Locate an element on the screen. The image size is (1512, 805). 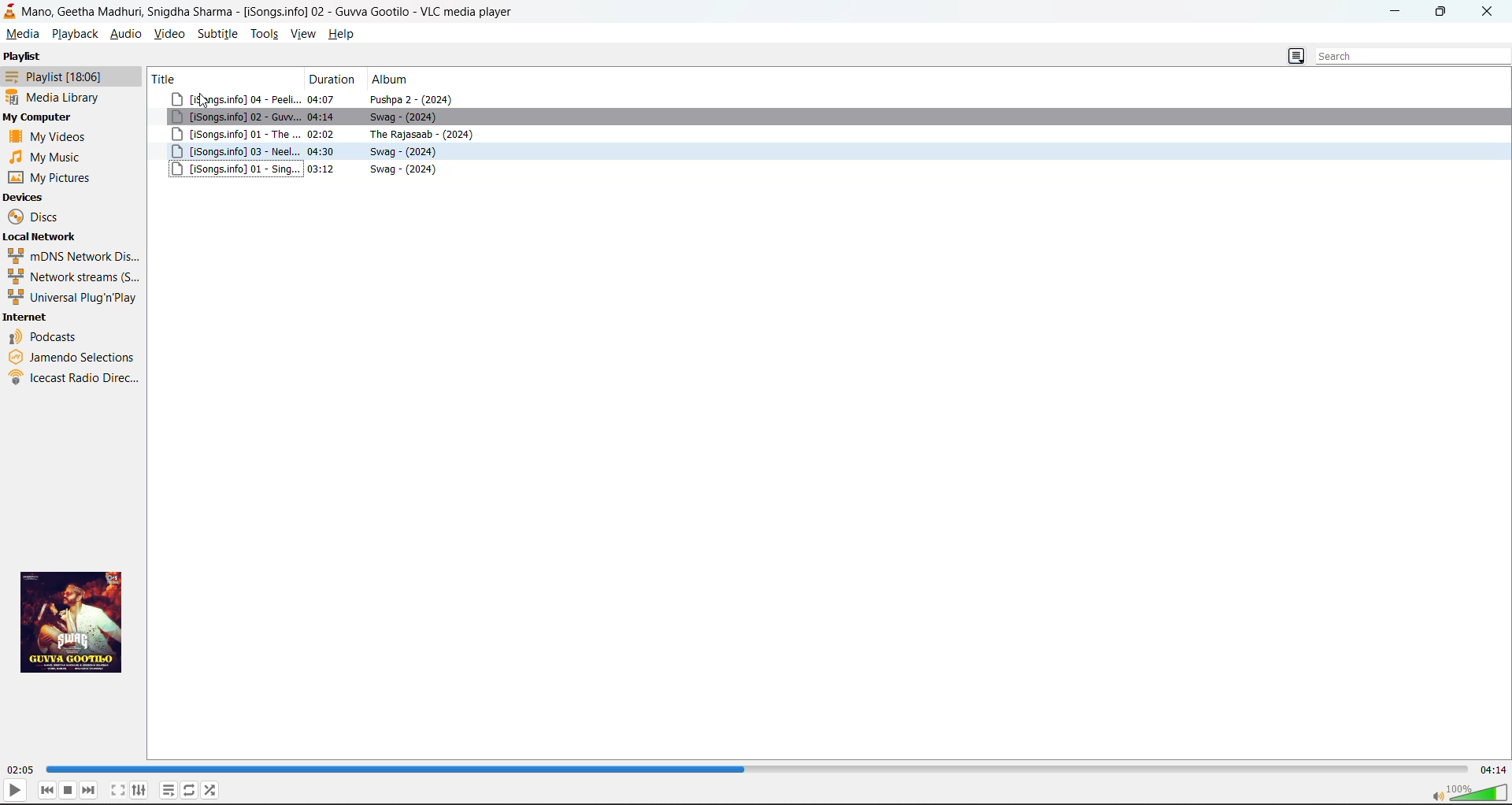
next is located at coordinates (89, 790).